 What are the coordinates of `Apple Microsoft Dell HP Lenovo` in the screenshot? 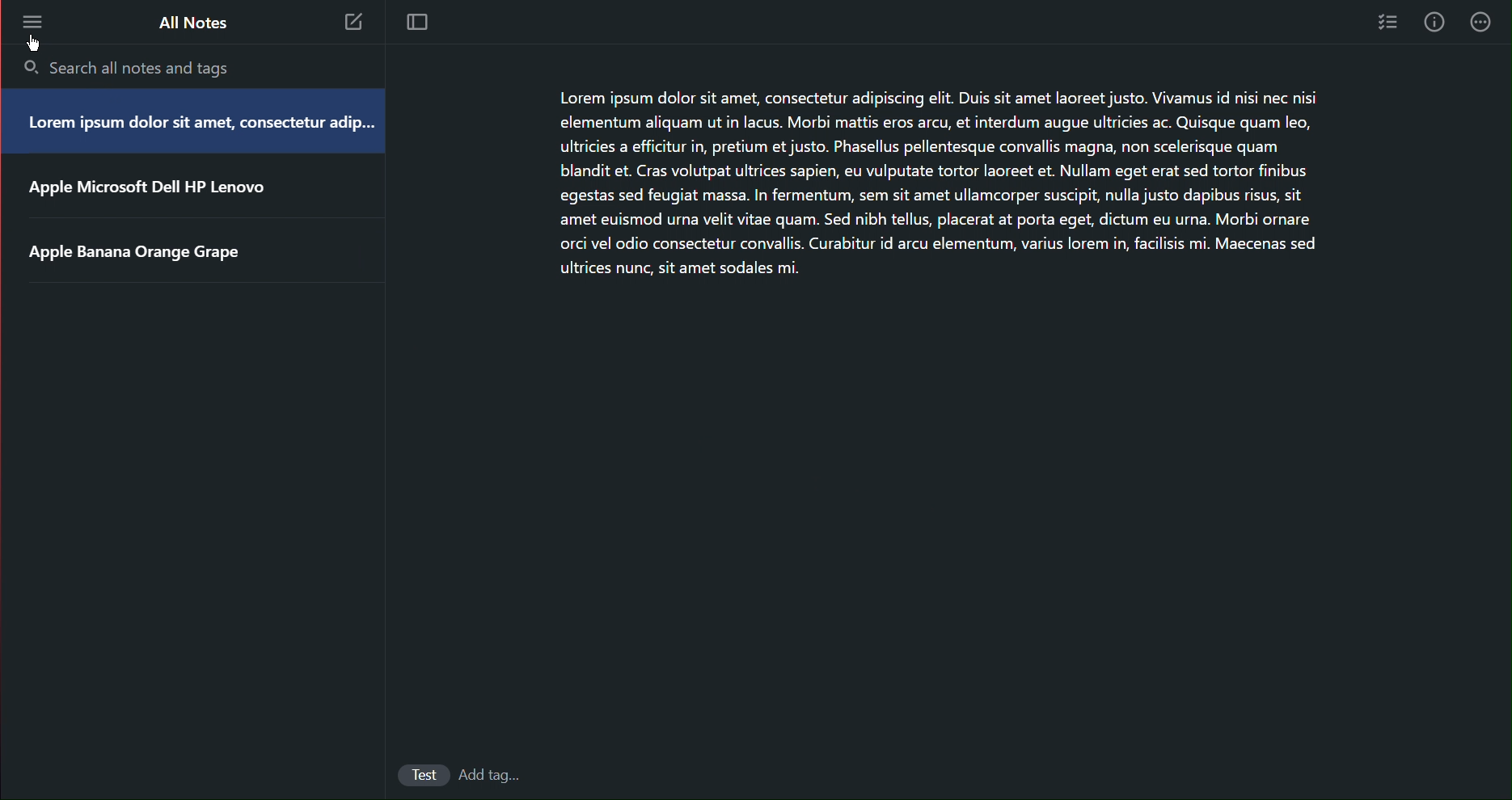 It's located at (150, 189).